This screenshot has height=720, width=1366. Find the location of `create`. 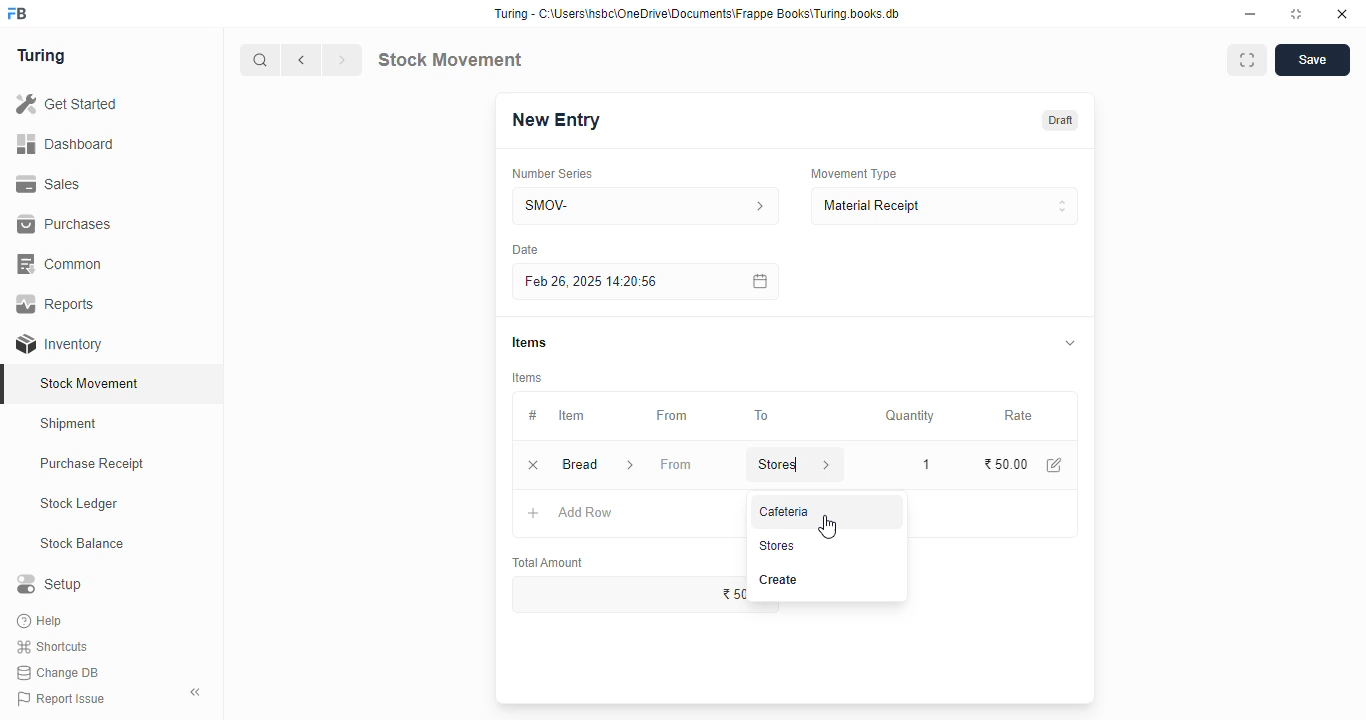

create is located at coordinates (780, 581).